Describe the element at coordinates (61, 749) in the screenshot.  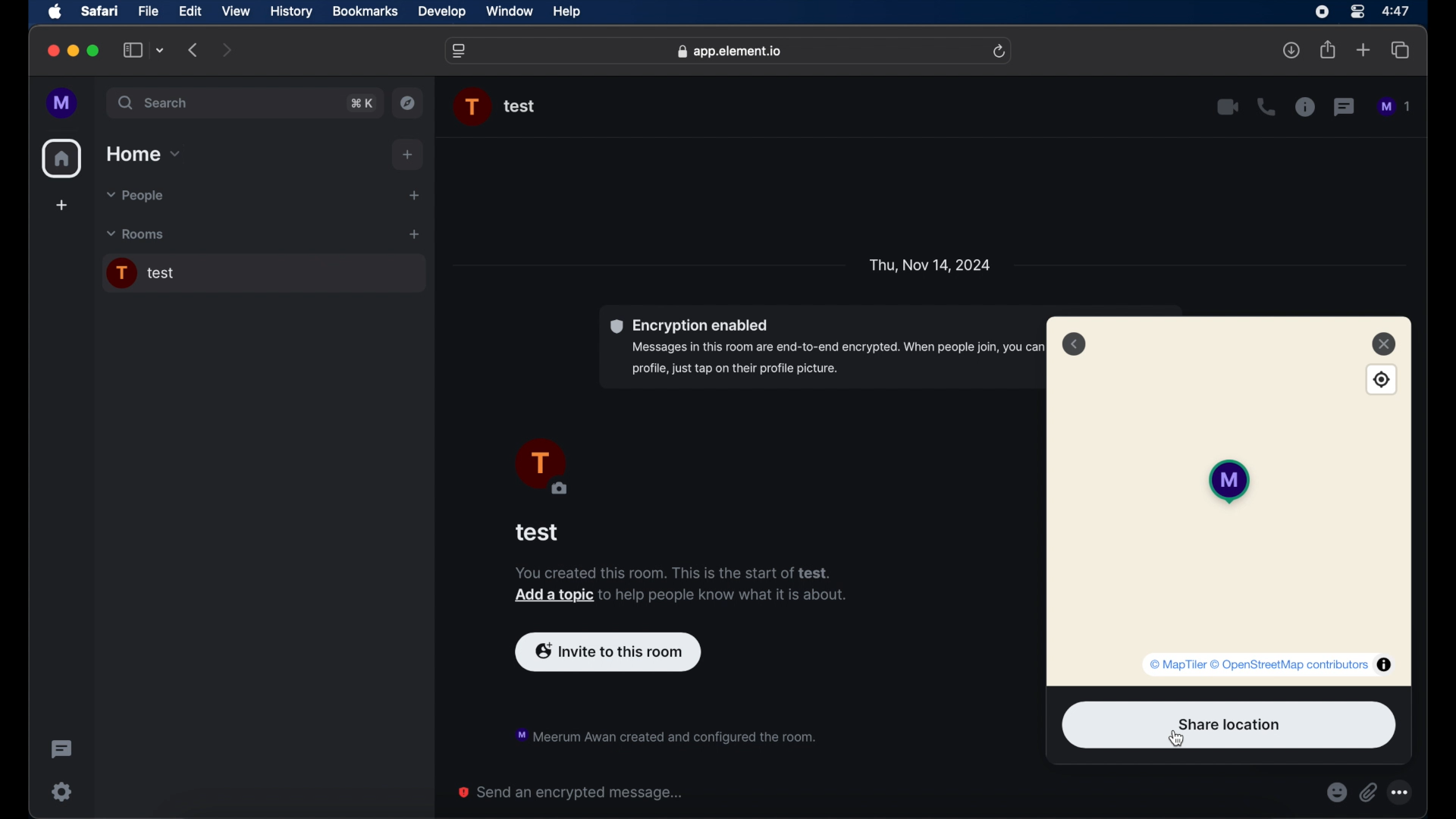
I see `threading activity` at that location.